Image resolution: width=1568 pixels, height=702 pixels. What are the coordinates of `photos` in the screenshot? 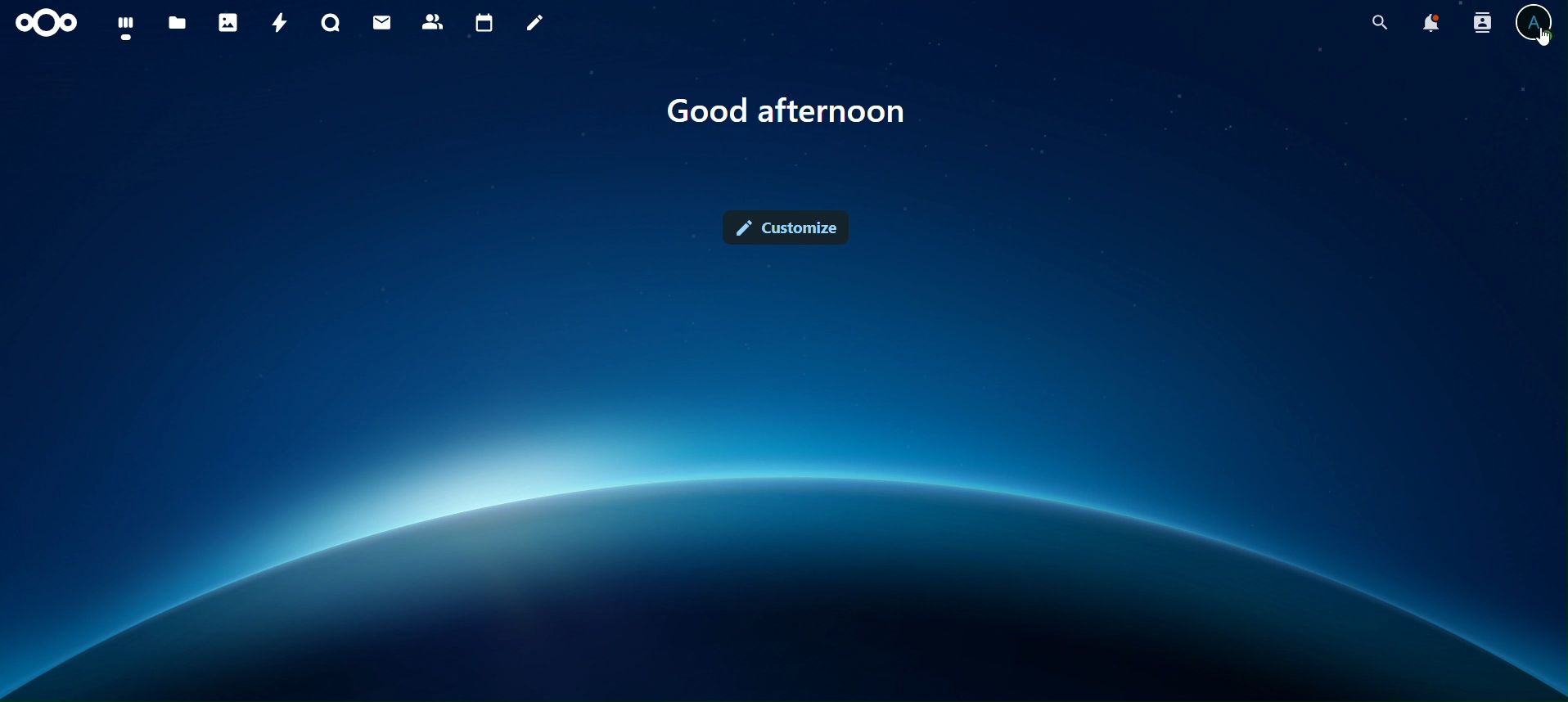 It's located at (228, 23).